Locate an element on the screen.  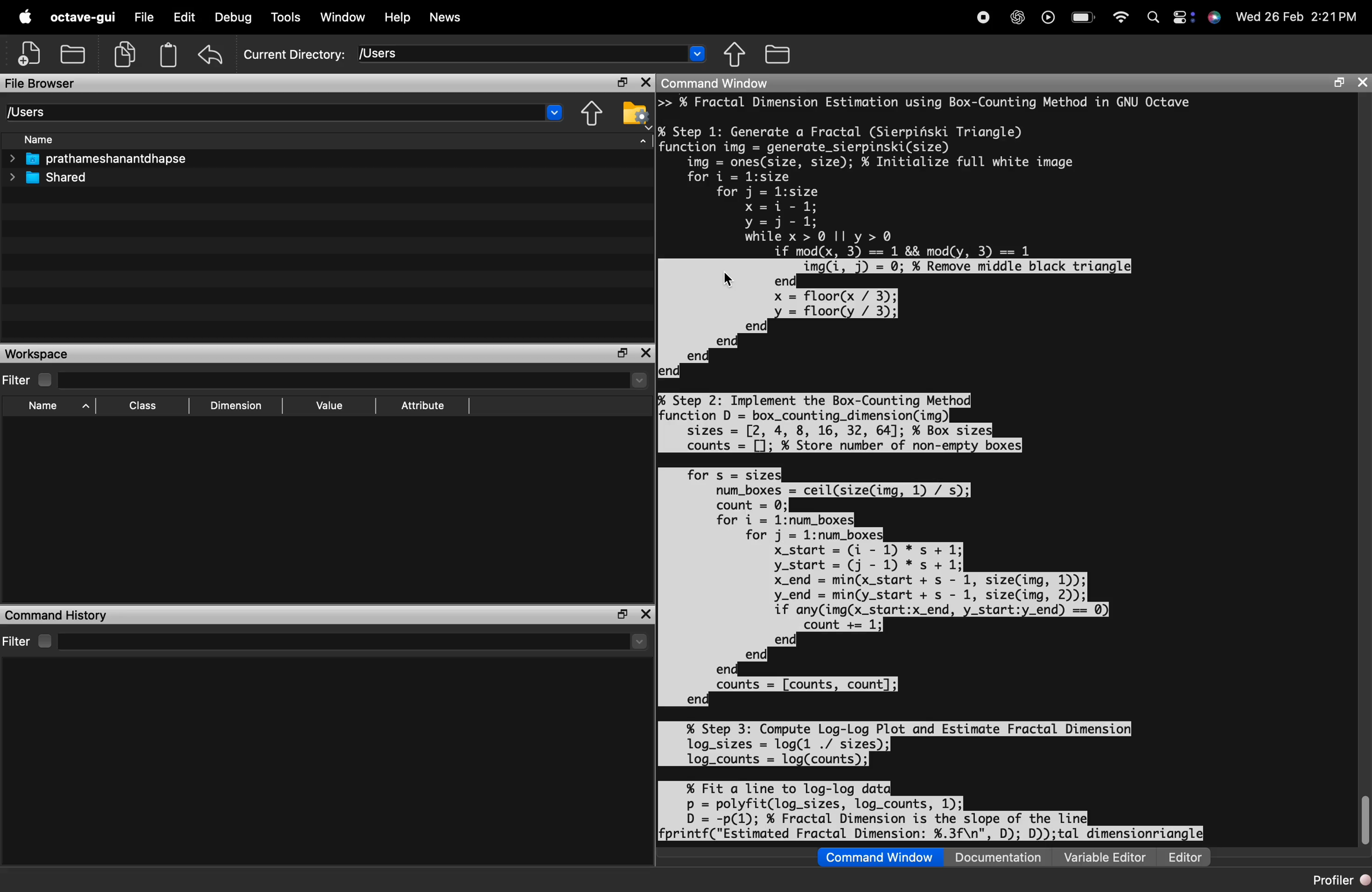
copy is located at coordinates (126, 58).